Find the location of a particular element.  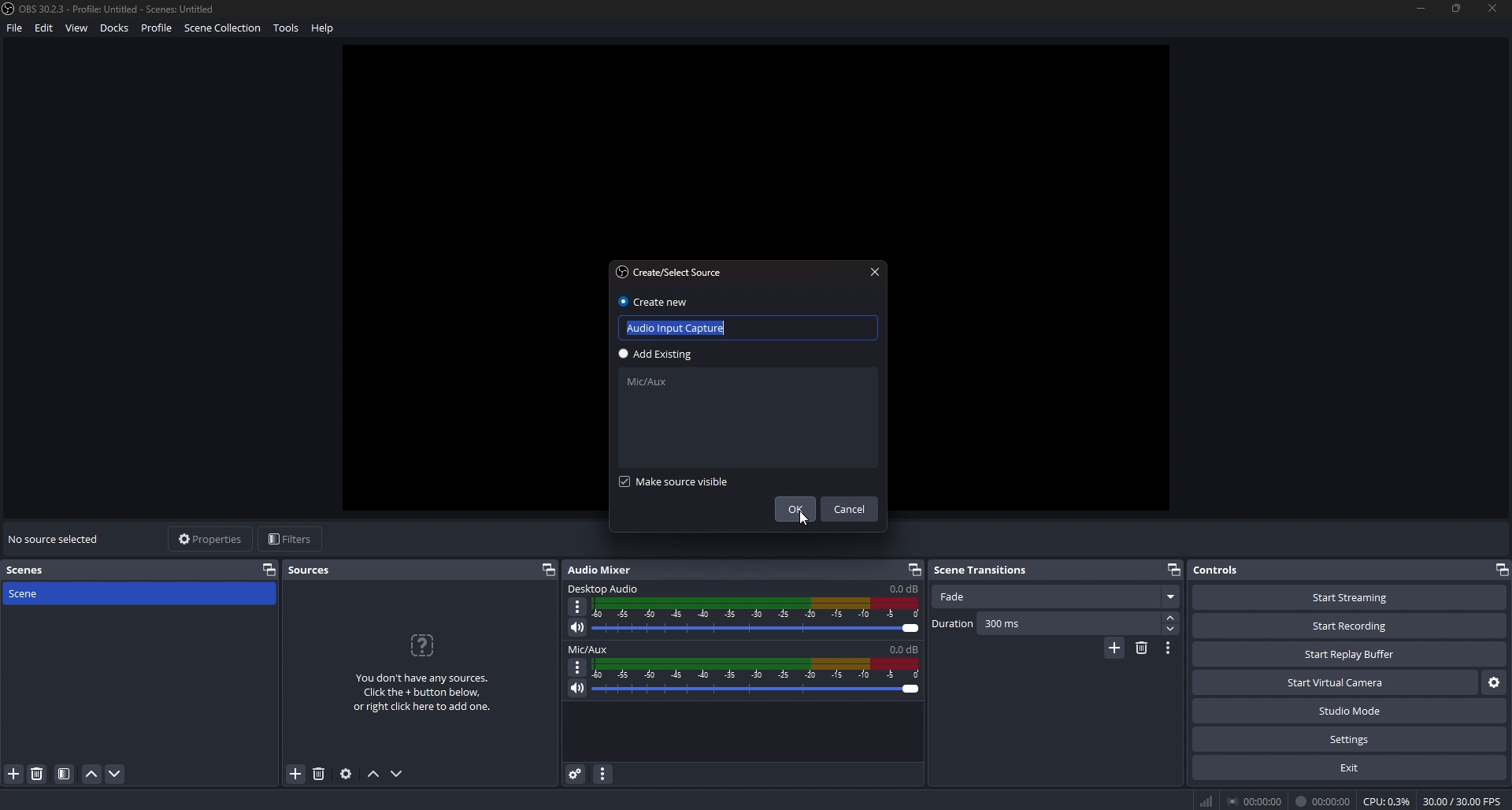

resize is located at coordinates (1458, 7).